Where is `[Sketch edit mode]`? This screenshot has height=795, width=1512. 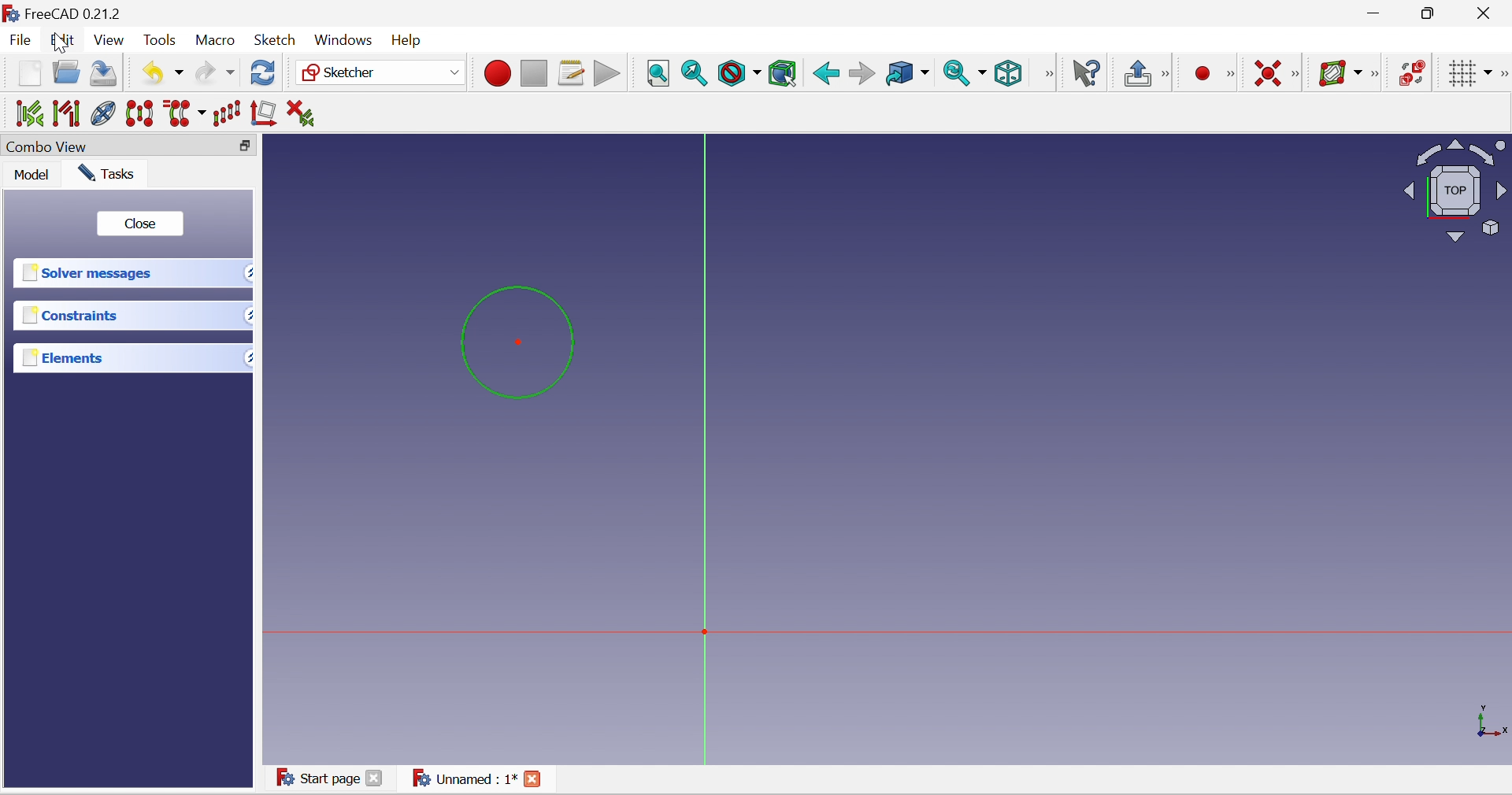 [Sketch edit mode] is located at coordinates (1167, 75).